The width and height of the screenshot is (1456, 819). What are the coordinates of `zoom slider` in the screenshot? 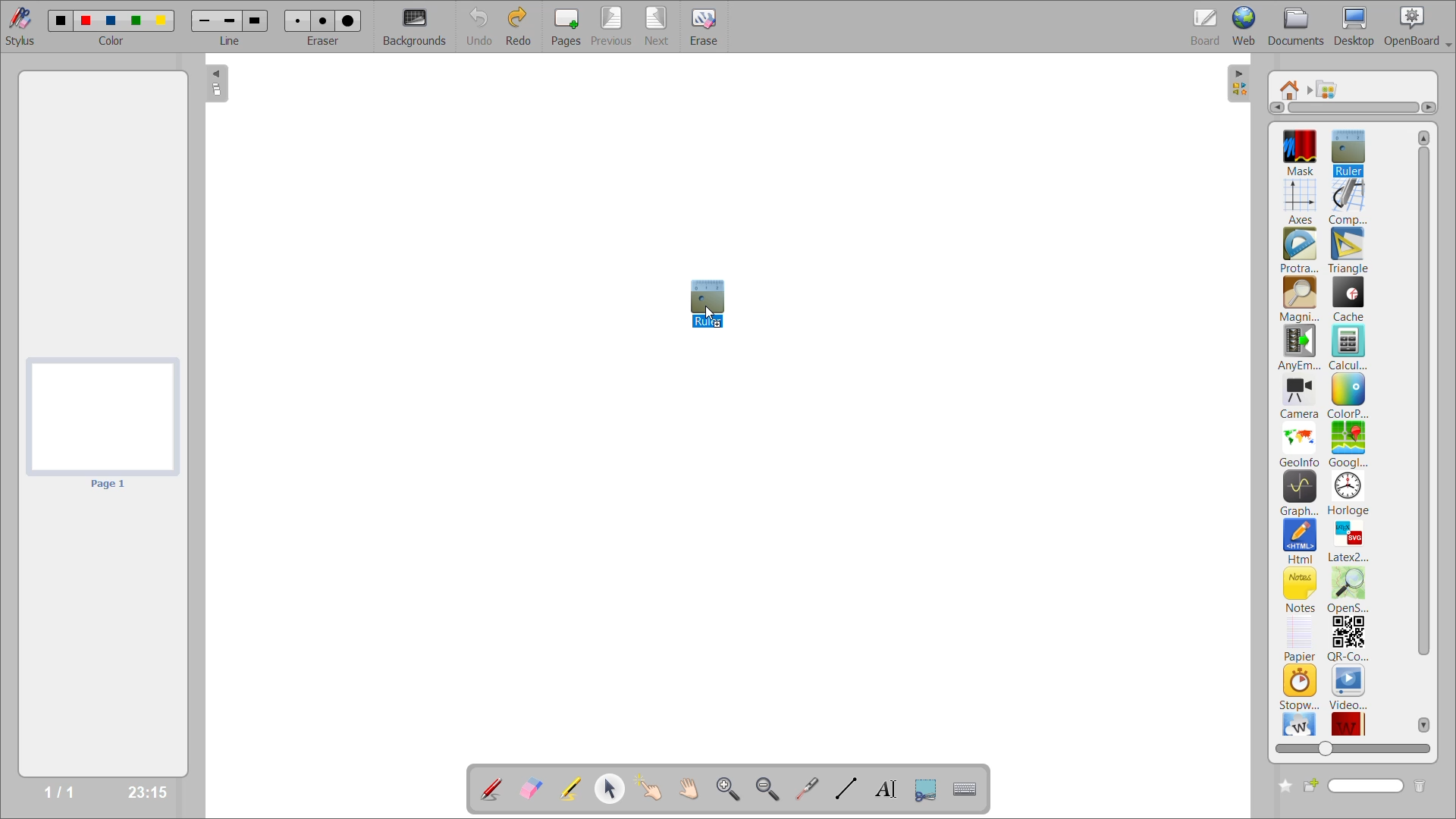 It's located at (1350, 746).